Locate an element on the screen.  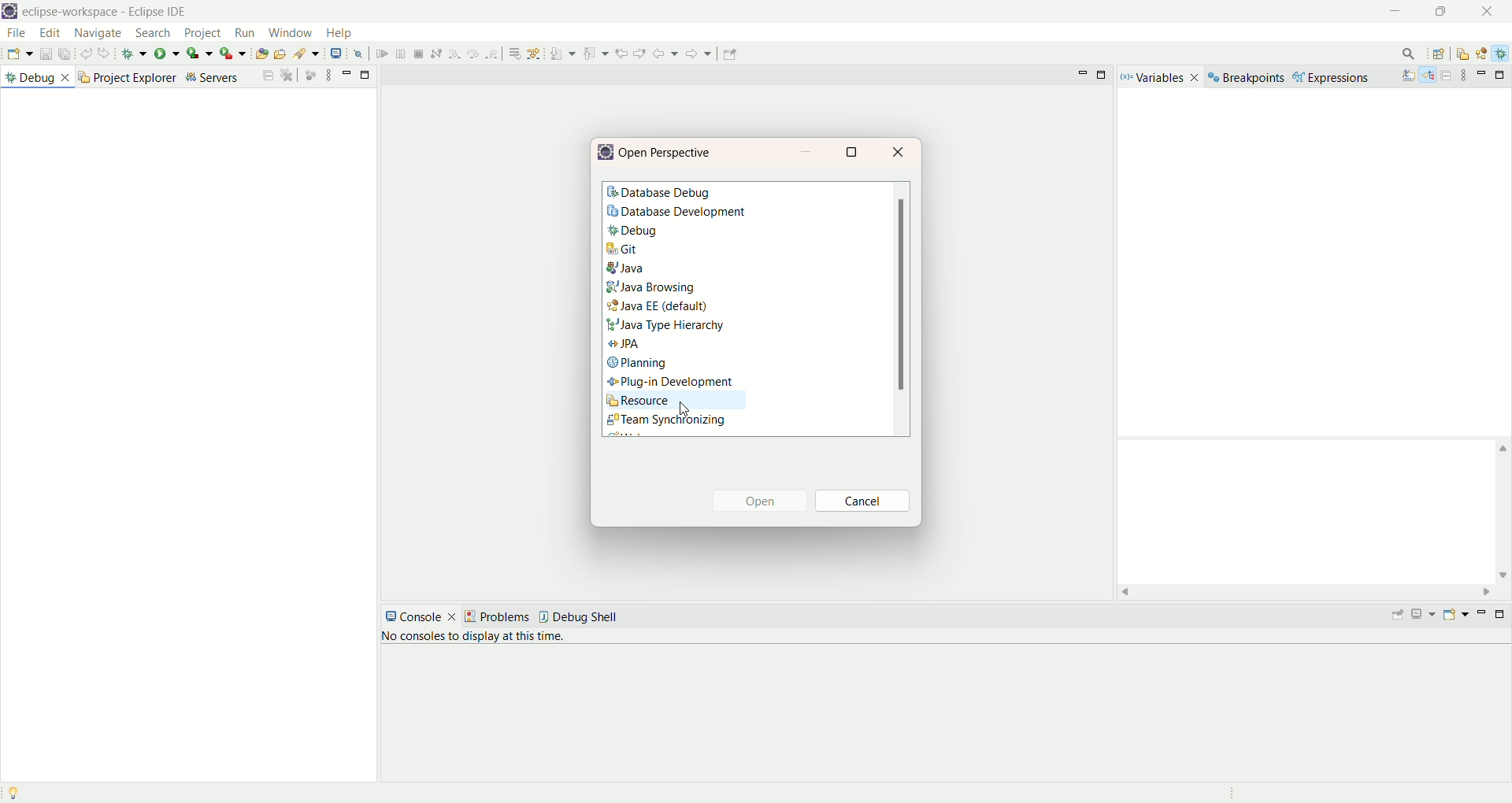
drop to frame is located at coordinates (627, 55).